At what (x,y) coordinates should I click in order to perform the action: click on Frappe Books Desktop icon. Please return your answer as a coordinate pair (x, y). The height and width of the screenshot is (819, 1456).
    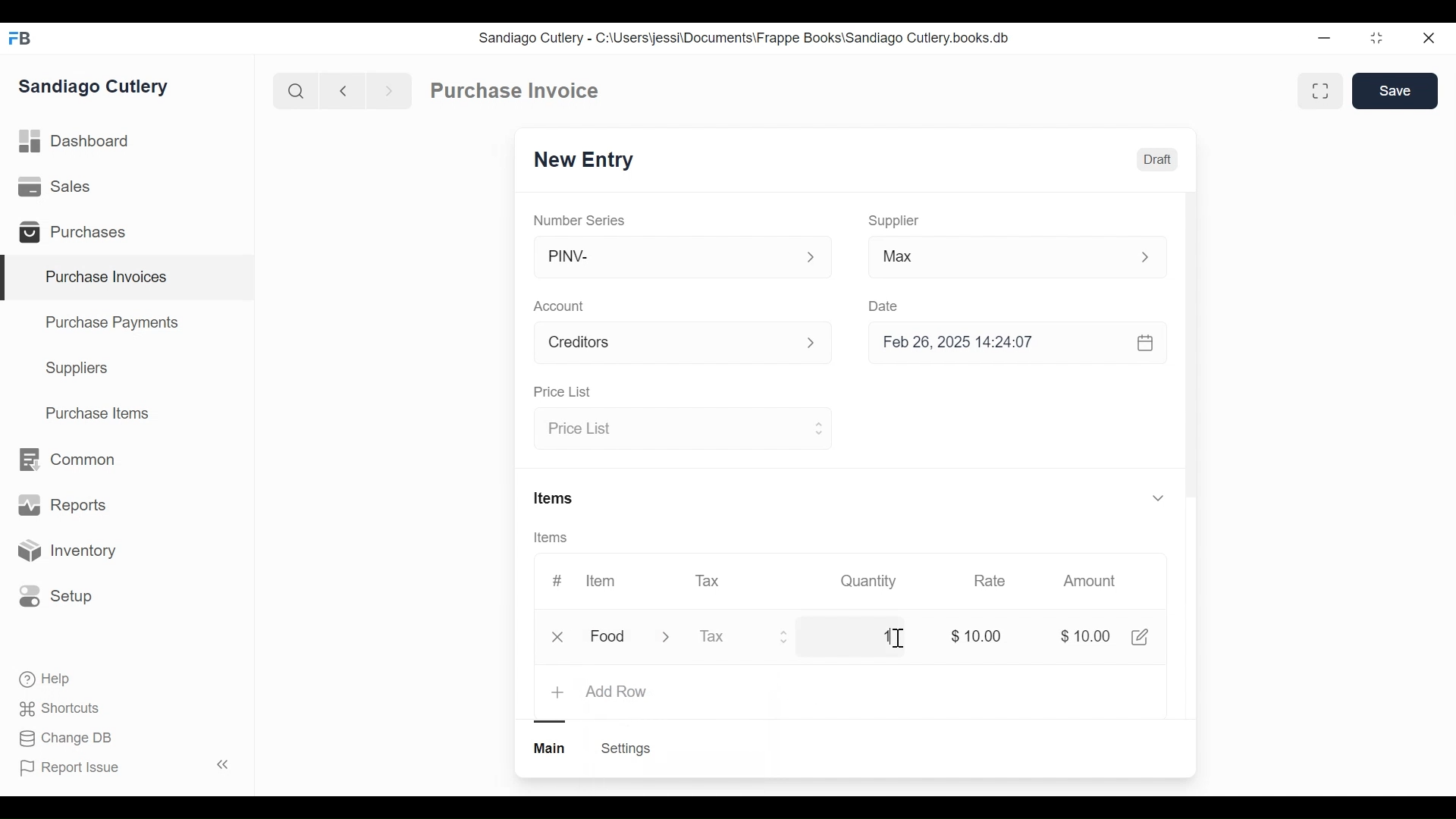
    Looking at the image, I should click on (25, 39).